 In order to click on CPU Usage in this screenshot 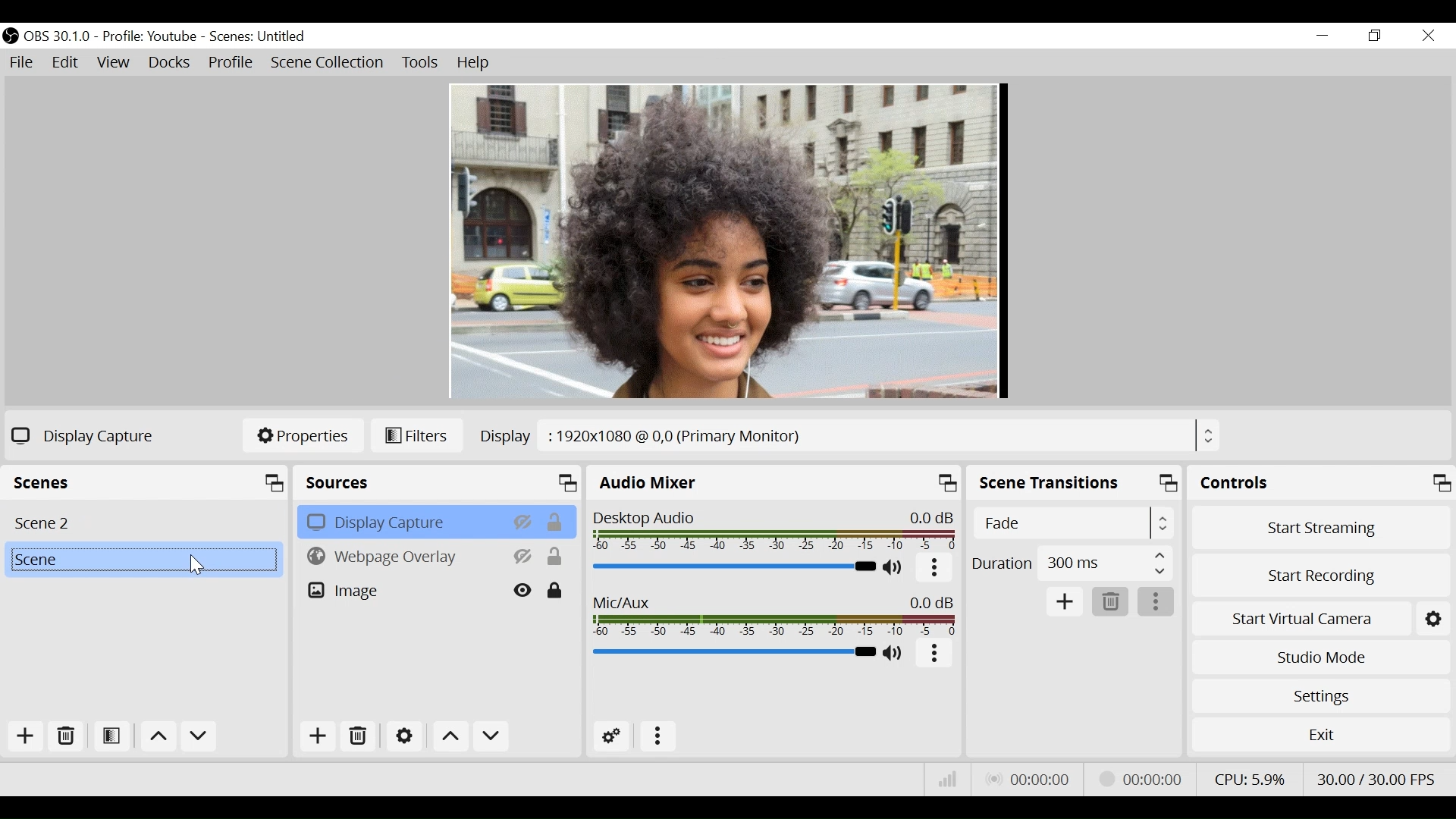, I will do `click(1250, 778)`.